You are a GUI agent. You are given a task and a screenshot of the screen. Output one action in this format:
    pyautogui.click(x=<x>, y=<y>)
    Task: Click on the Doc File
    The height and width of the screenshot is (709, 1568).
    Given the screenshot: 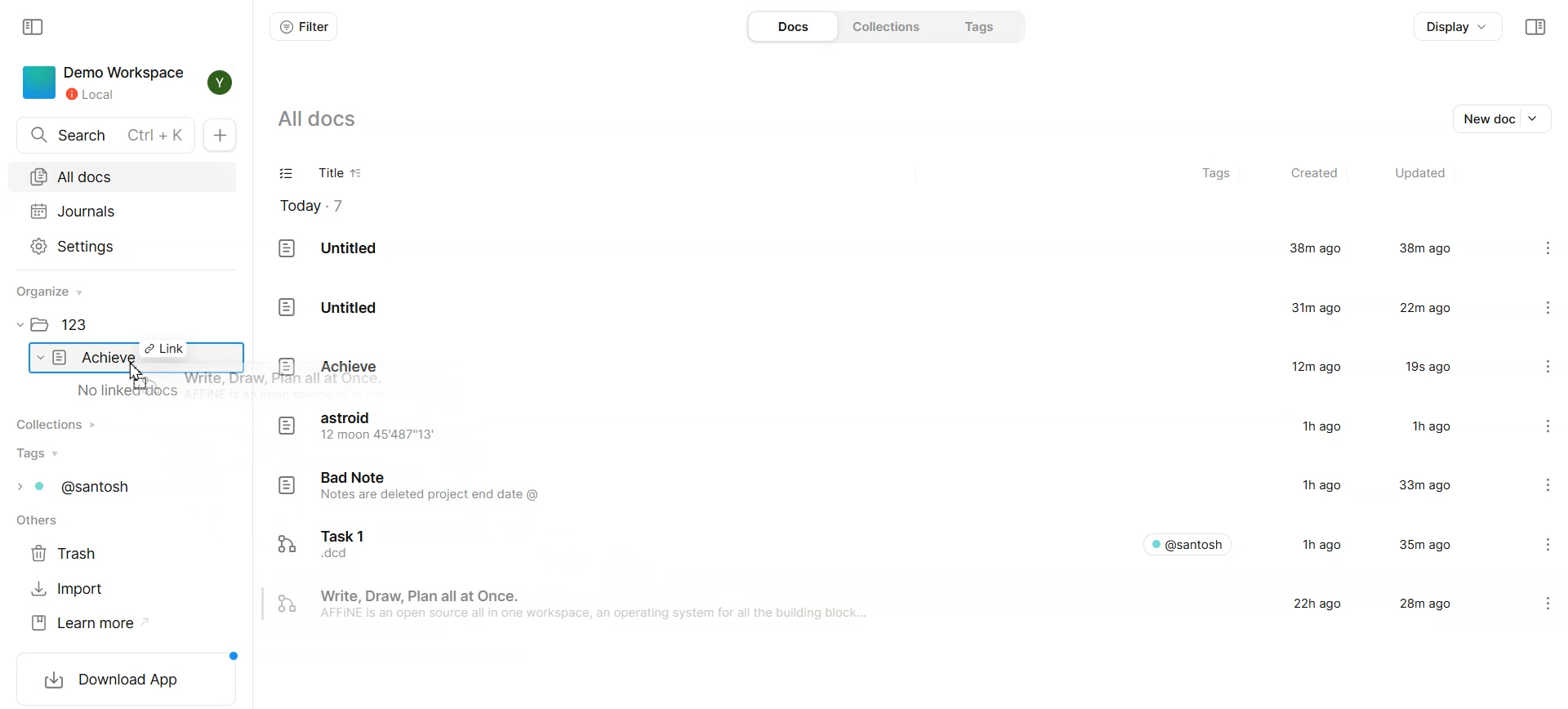 What is the action you would take?
    pyautogui.click(x=879, y=305)
    